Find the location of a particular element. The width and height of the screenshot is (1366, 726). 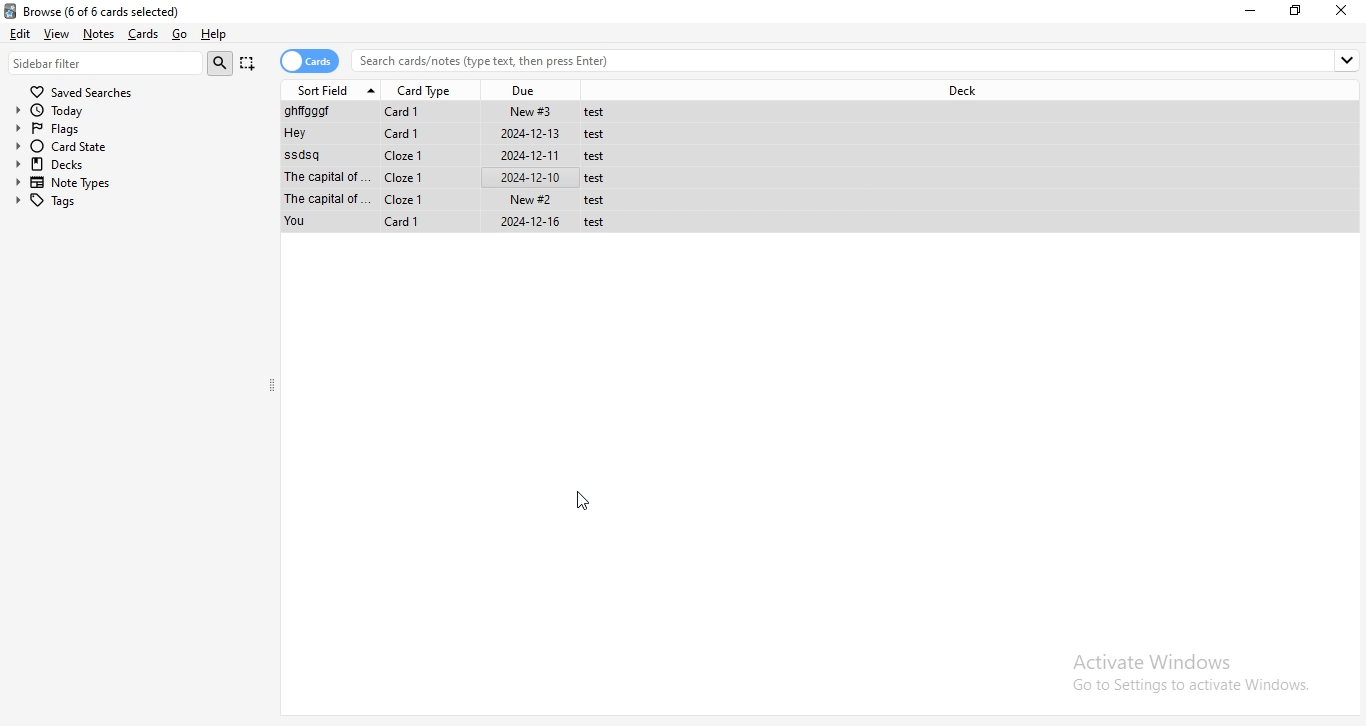

Browse (0 of 6 cards selected) is located at coordinates (111, 10).